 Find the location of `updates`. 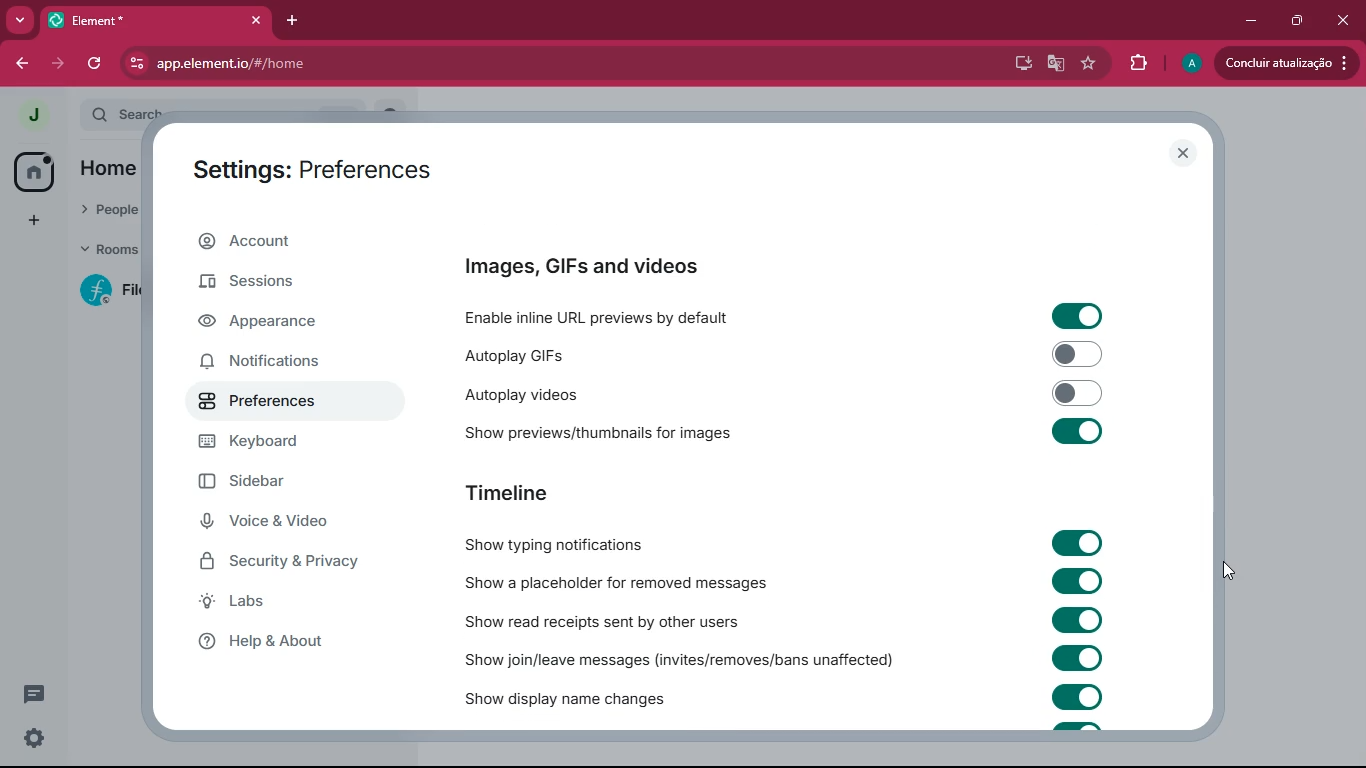

updates is located at coordinates (1285, 64).